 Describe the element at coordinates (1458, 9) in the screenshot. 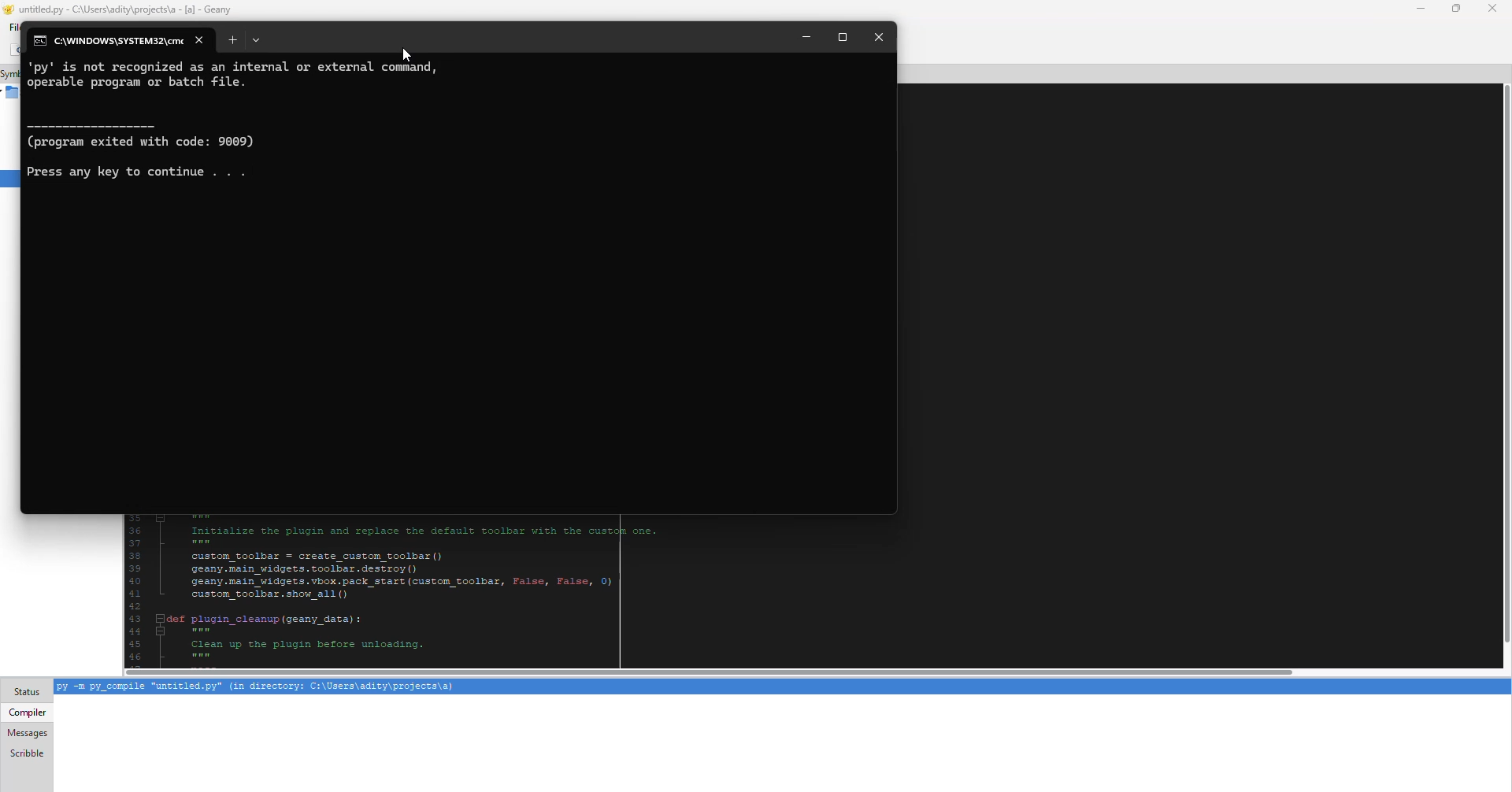

I see `maximize` at that location.